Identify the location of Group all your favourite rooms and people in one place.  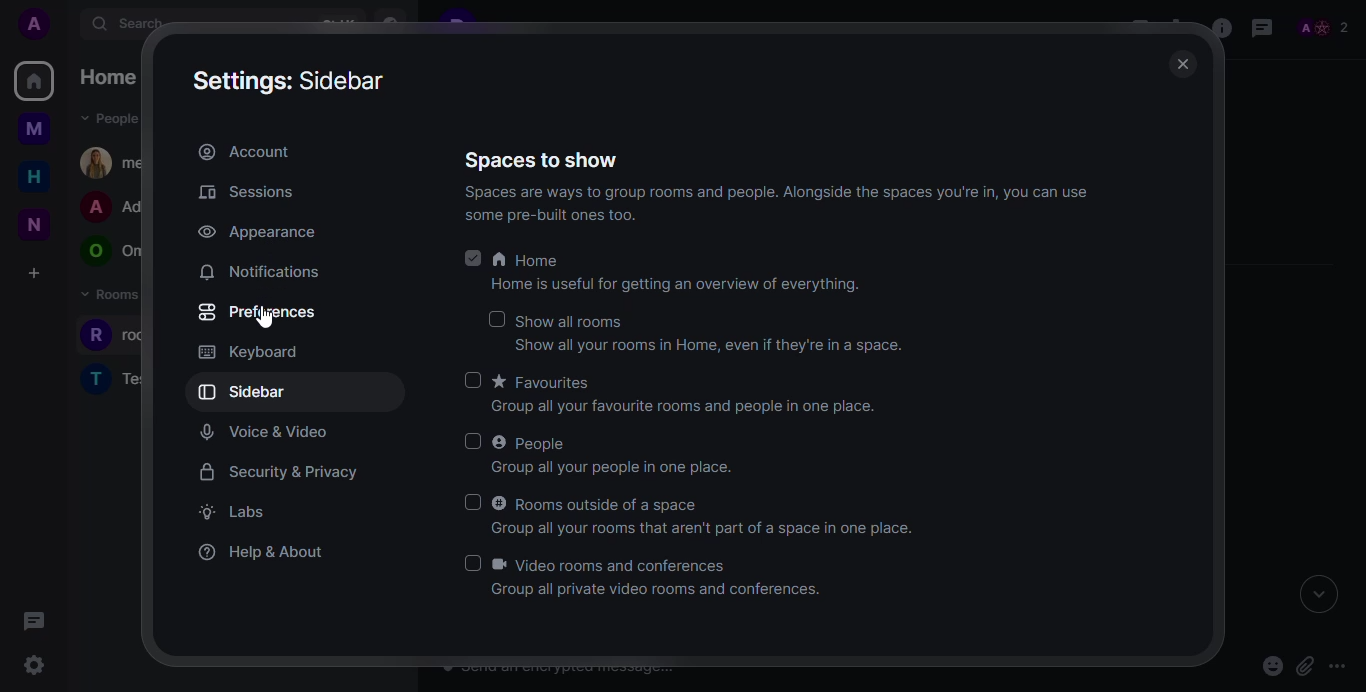
(684, 407).